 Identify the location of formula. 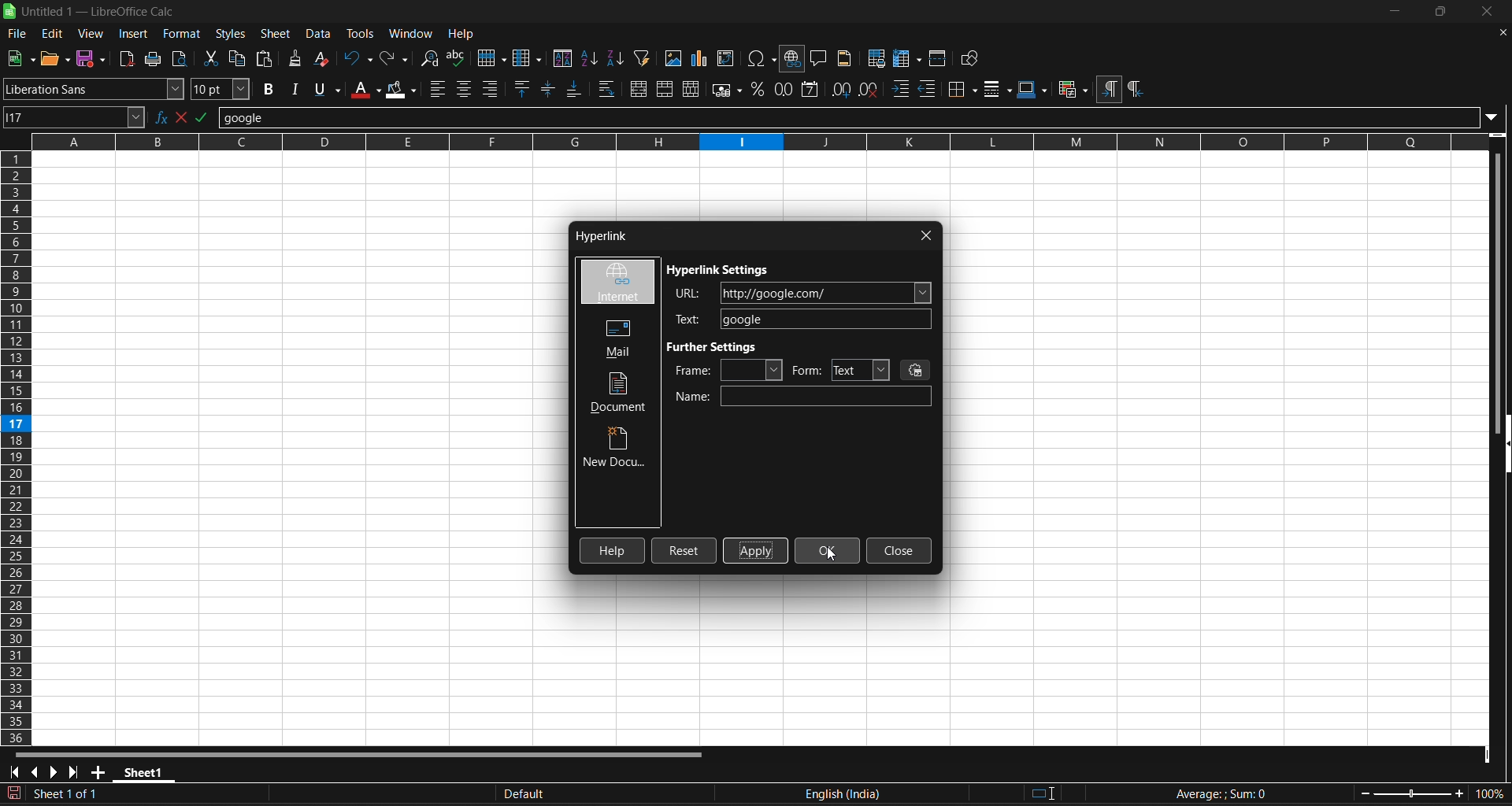
(210, 116).